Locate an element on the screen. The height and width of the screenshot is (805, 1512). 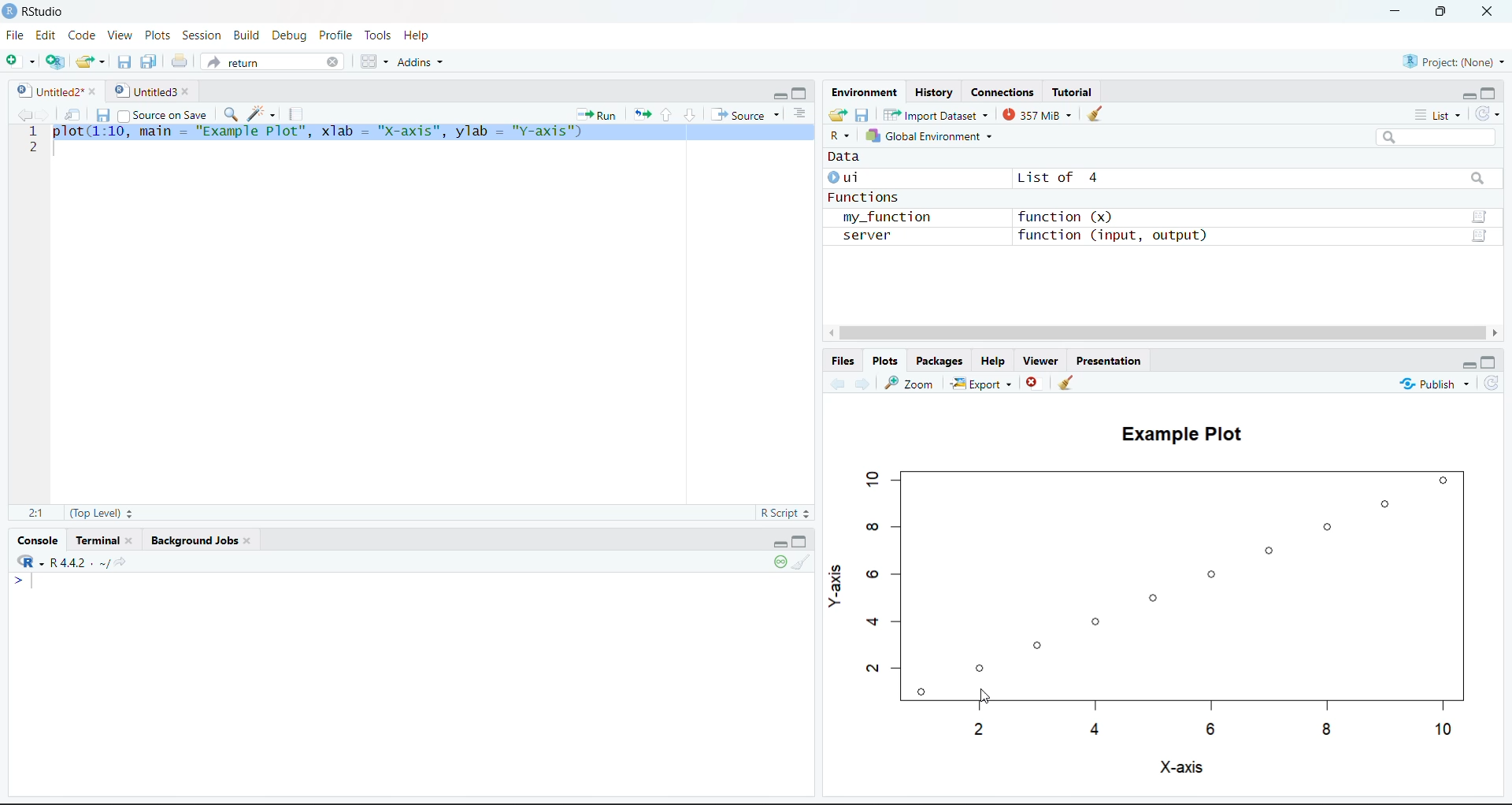
Search bar is located at coordinates (1437, 137).